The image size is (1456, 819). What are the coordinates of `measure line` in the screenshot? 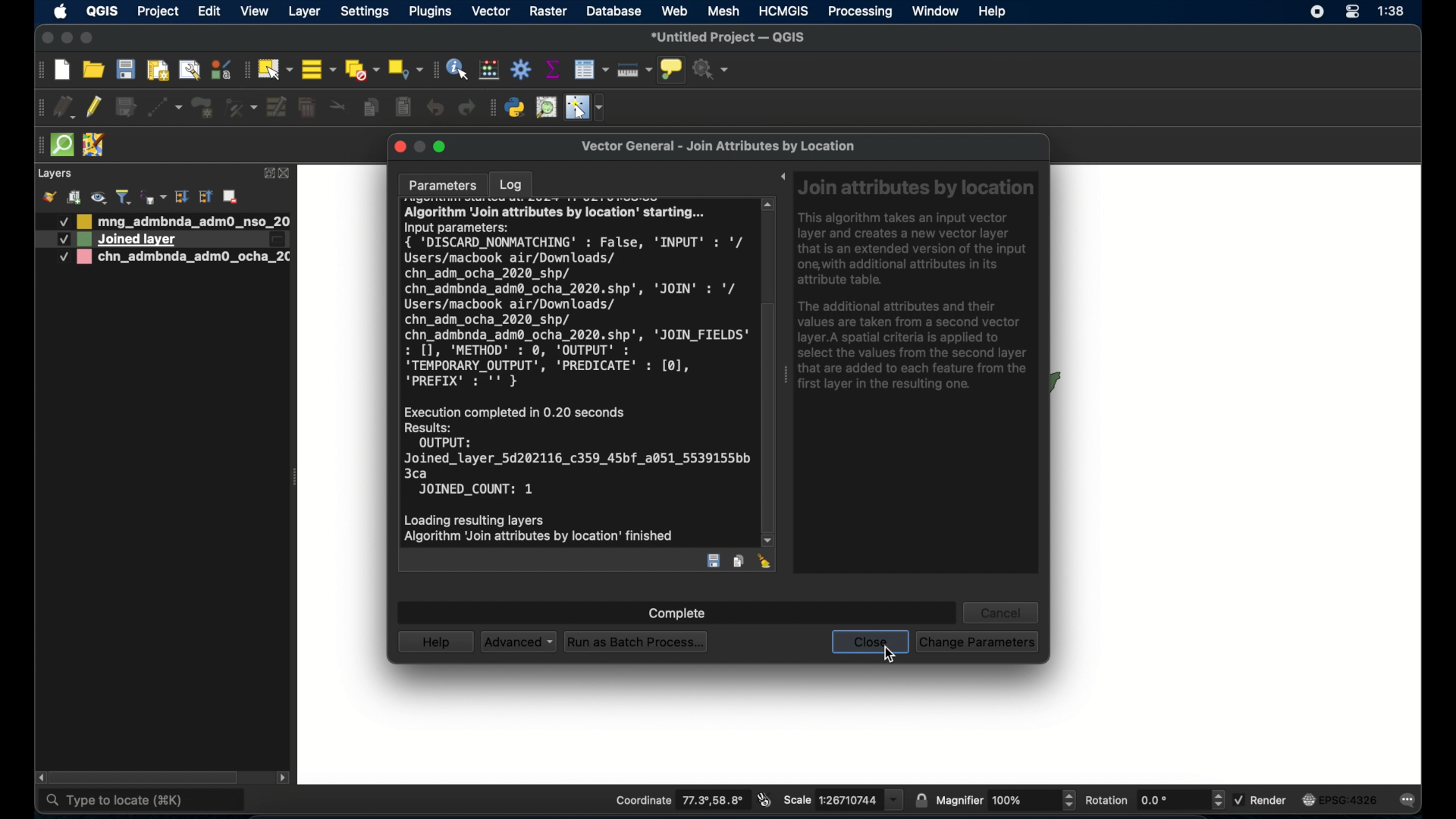 It's located at (633, 71).